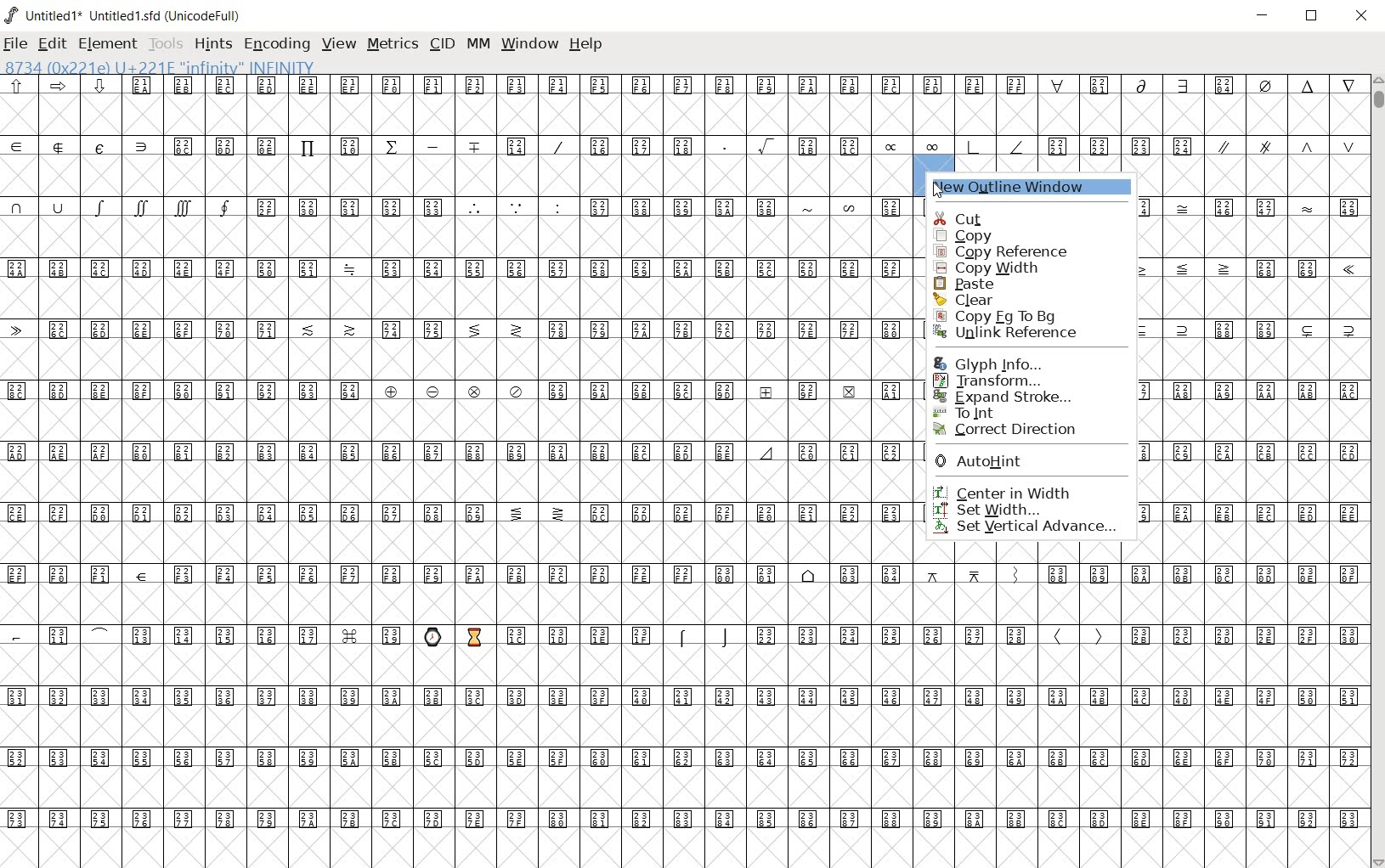 This screenshot has height=868, width=1385. What do you see at coordinates (1032, 189) in the screenshot?
I see `new outline window` at bounding box center [1032, 189].